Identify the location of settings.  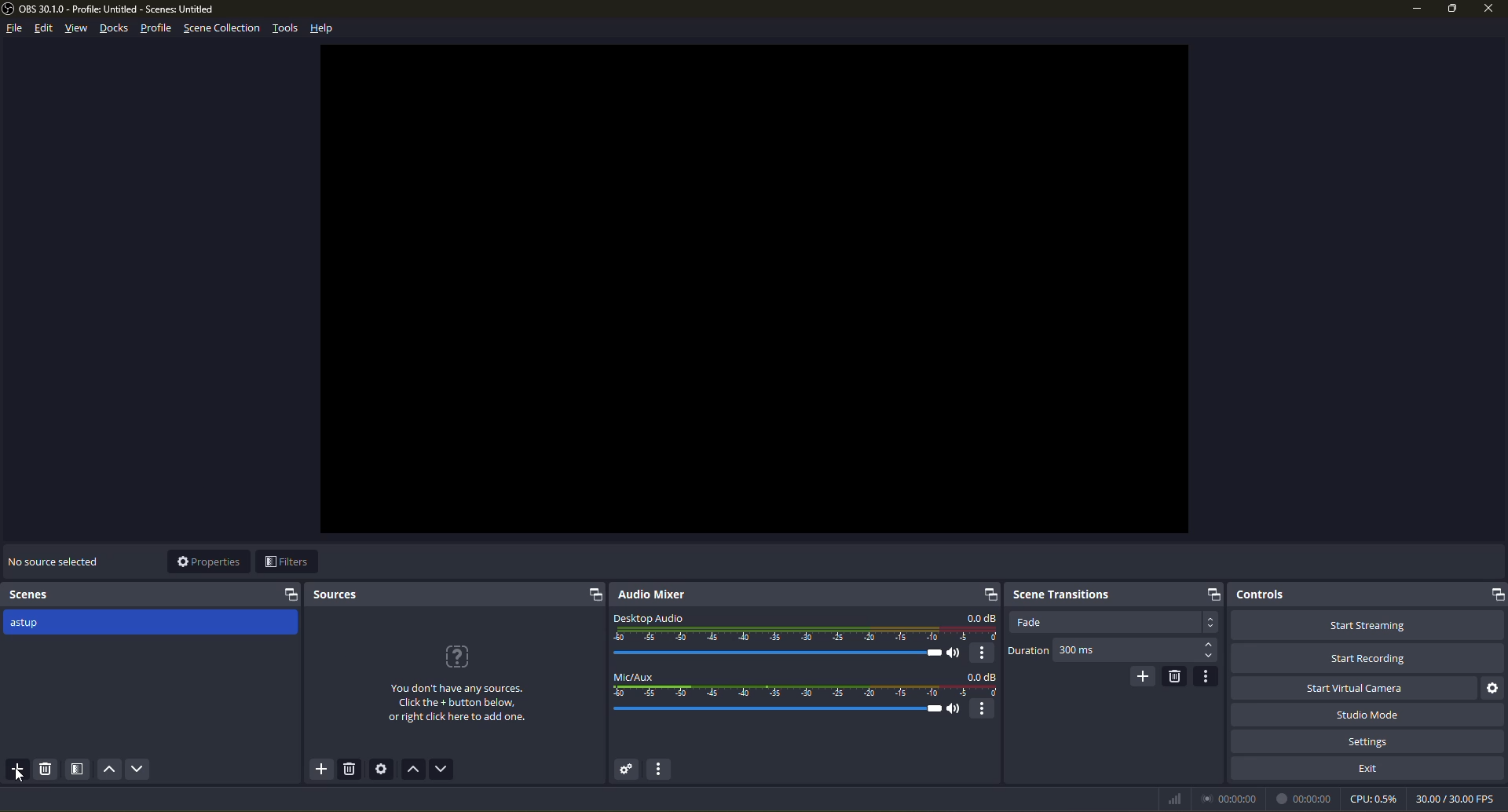
(1370, 740).